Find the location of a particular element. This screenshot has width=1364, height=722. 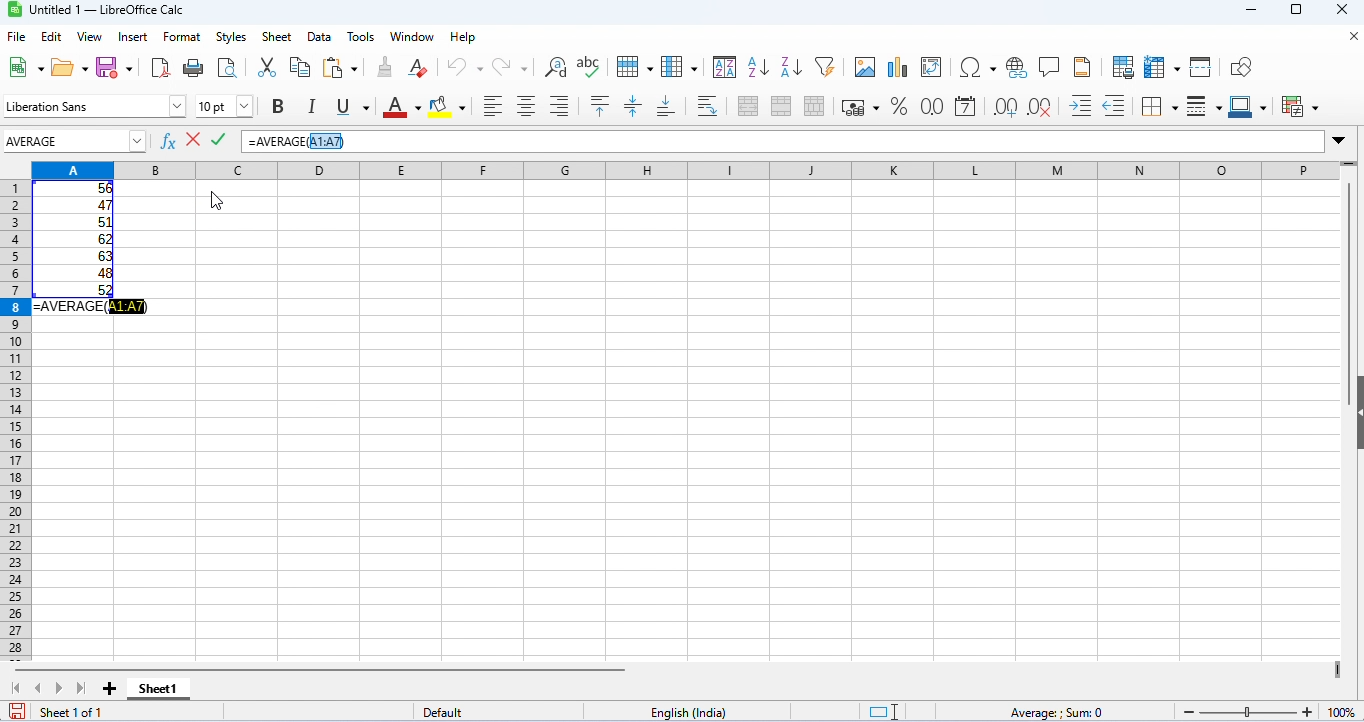

open is located at coordinates (71, 66).